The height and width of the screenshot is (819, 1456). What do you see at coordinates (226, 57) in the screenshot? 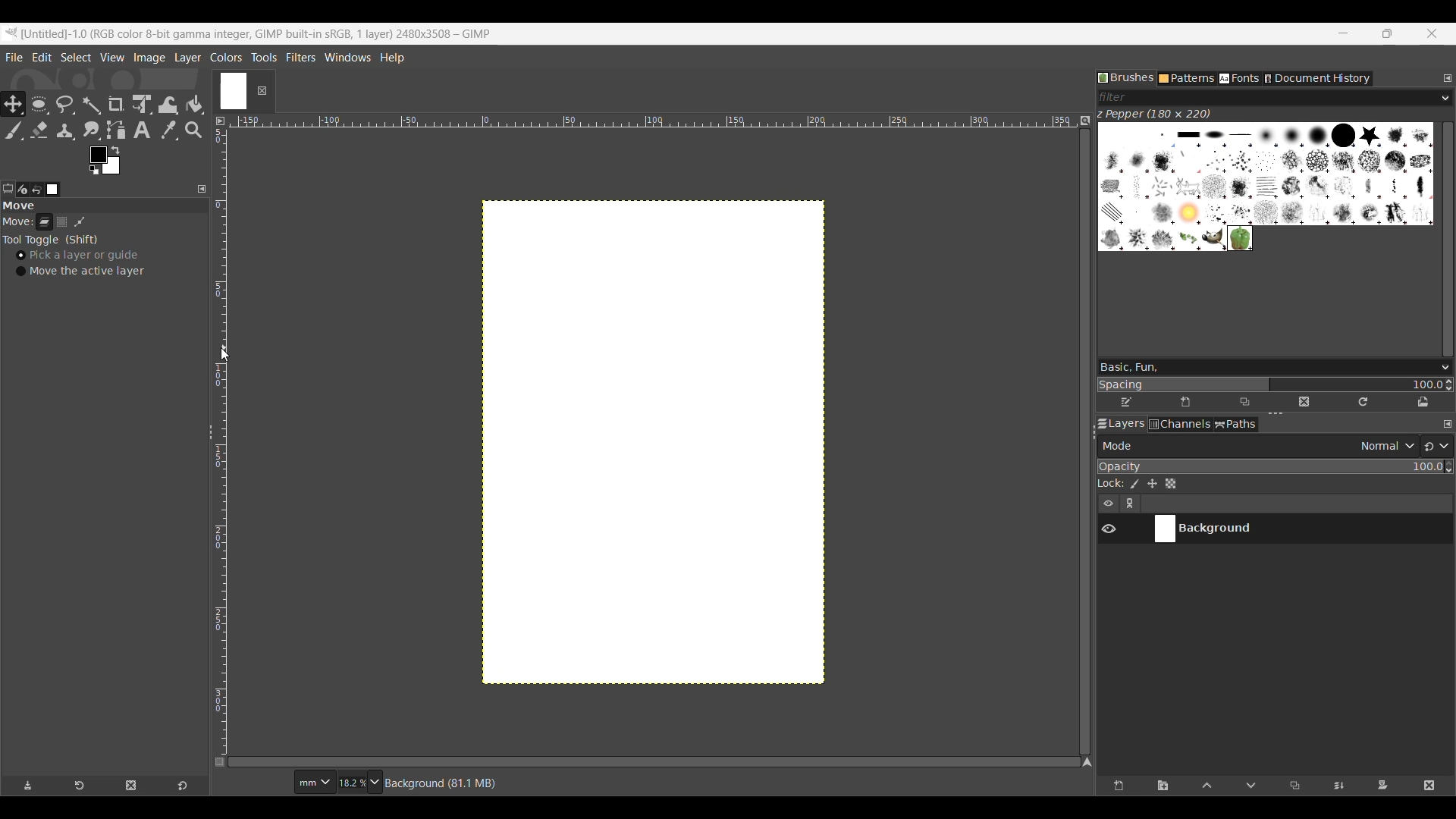
I see `Colors menu` at bounding box center [226, 57].